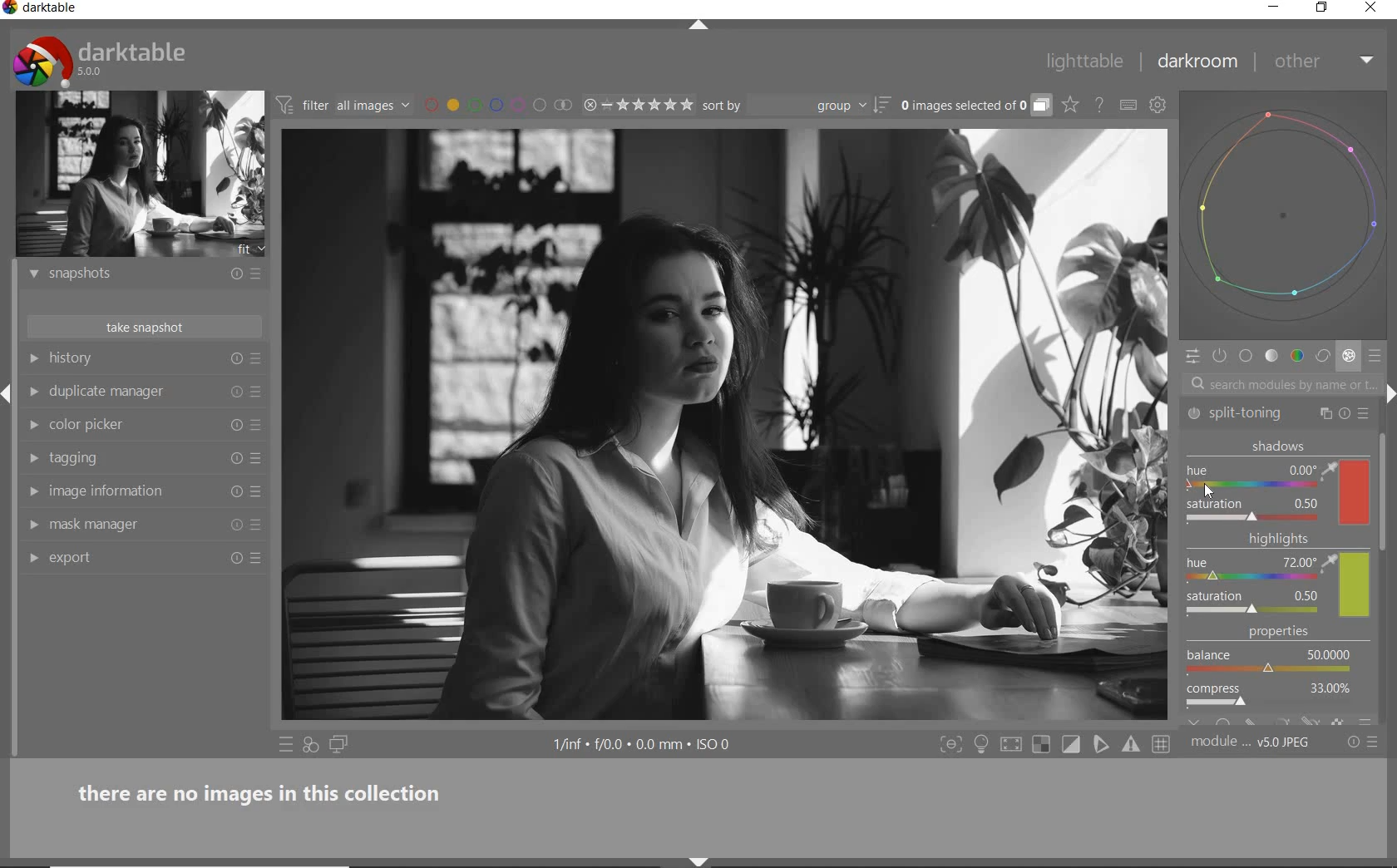  Describe the element at coordinates (722, 423) in the screenshot. I see `selected image` at that location.